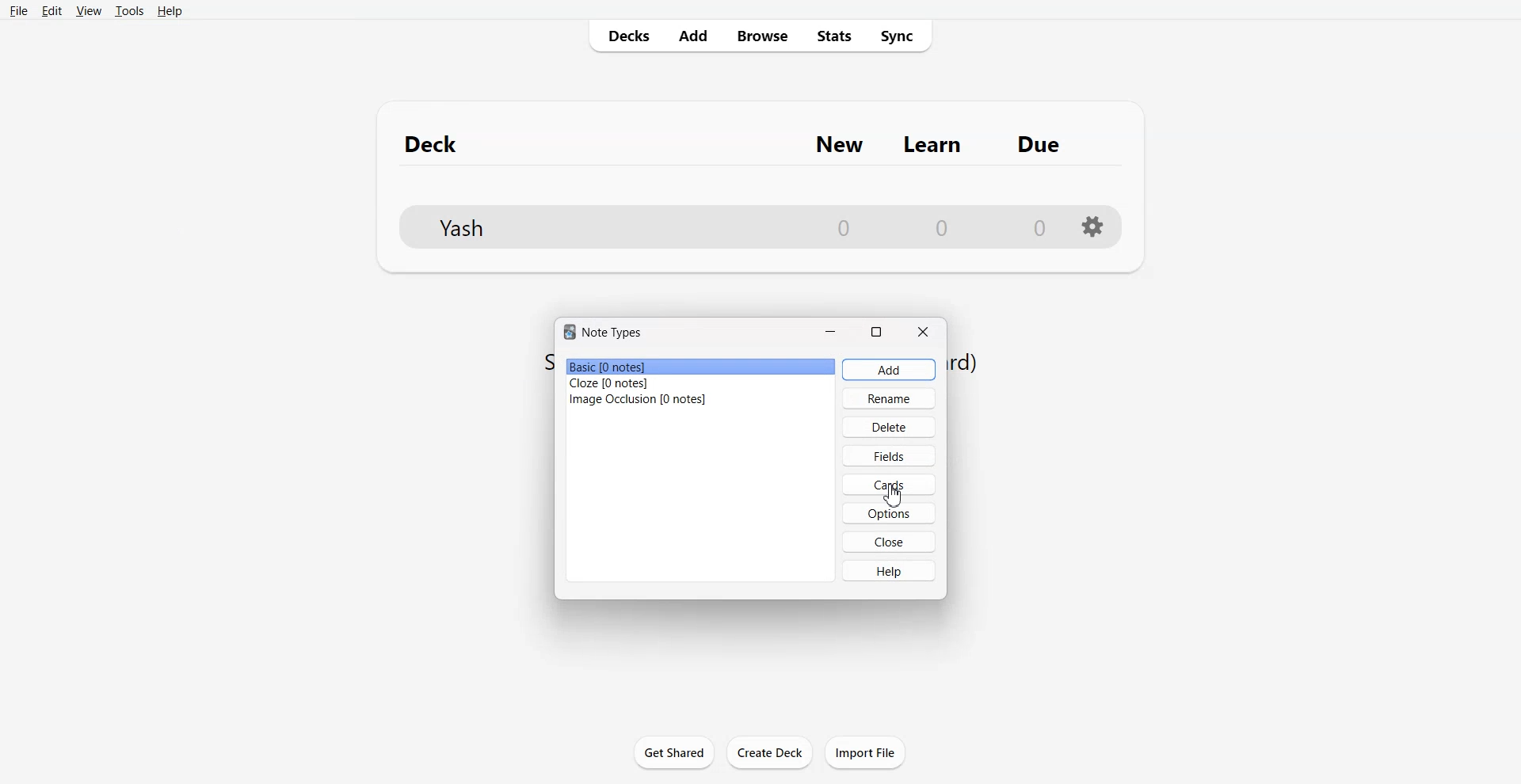 This screenshot has height=784, width=1521. Describe the element at coordinates (692, 35) in the screenshot. I see `Add` at that location.